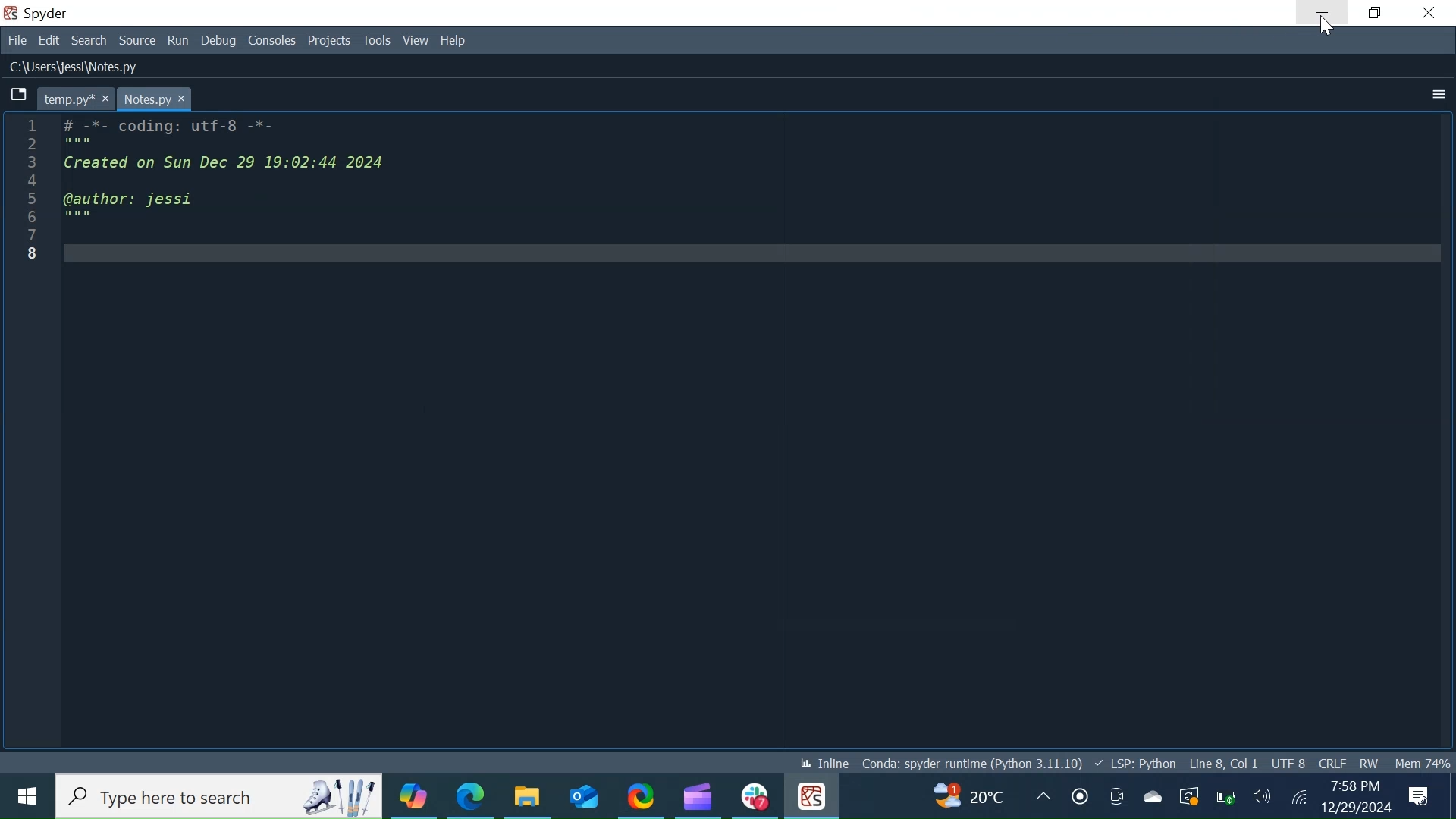 Image resolution: width=1456 pixels, height=819 pixels. I want to click on Internet Connectivity, so click(1301, 798).